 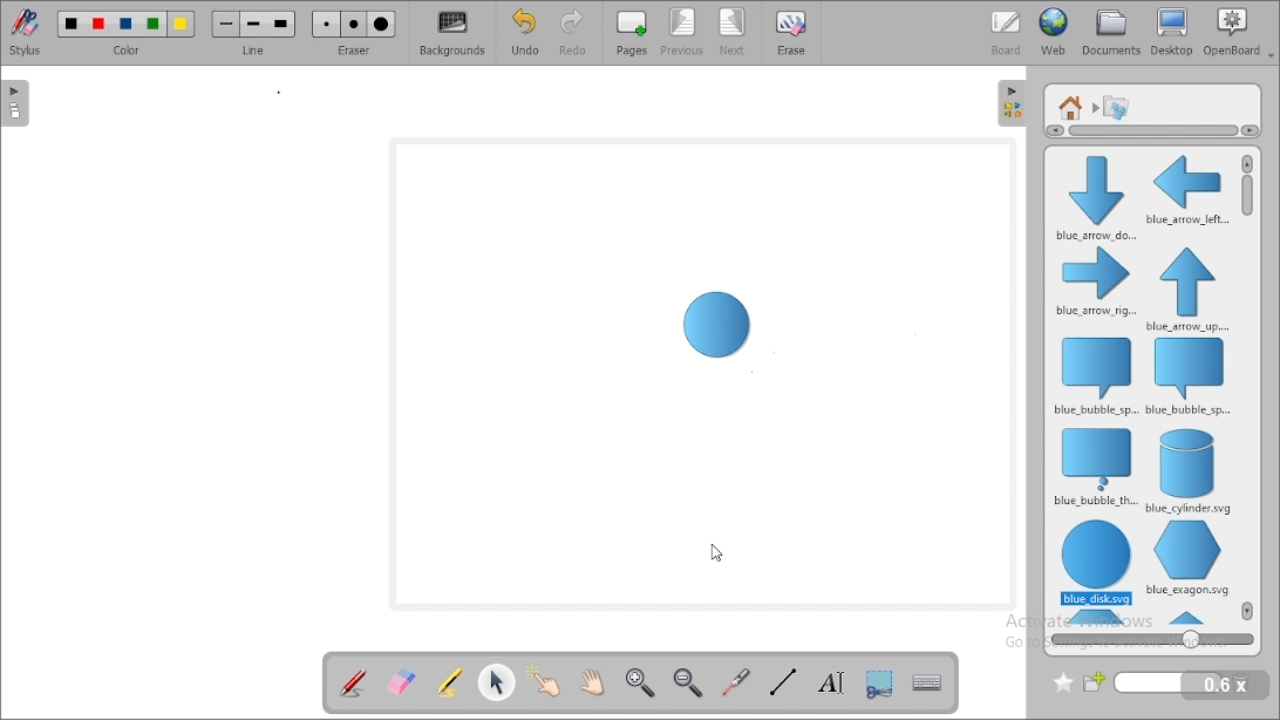 What do you see at coordinates (1154, 683) in the screenshot?
I see `new folder` at bounding box center [1154, 683].